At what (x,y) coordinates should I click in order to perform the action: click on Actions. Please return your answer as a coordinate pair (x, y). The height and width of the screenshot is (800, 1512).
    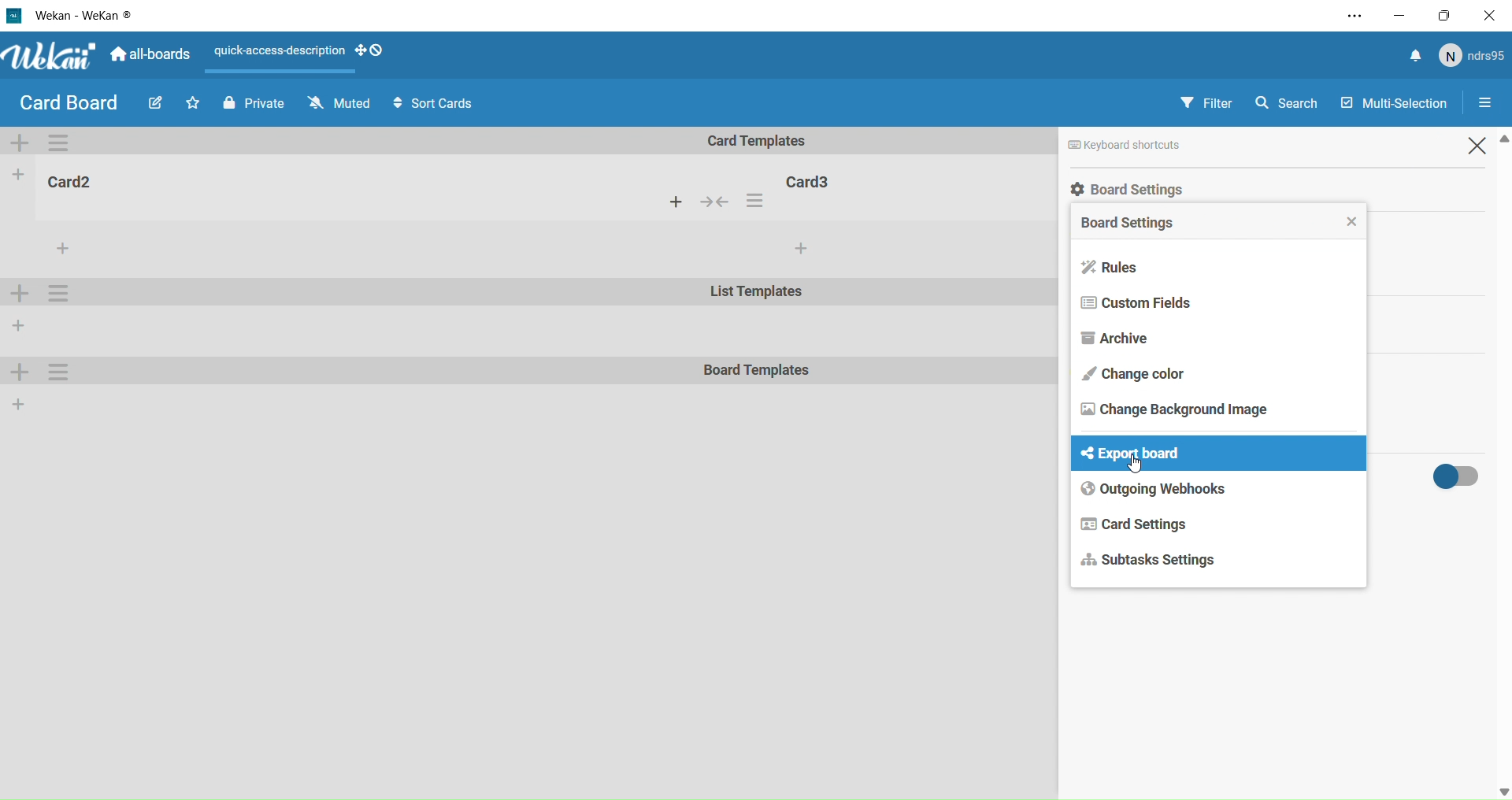
    Looking at the image, I should click on (724, 203).